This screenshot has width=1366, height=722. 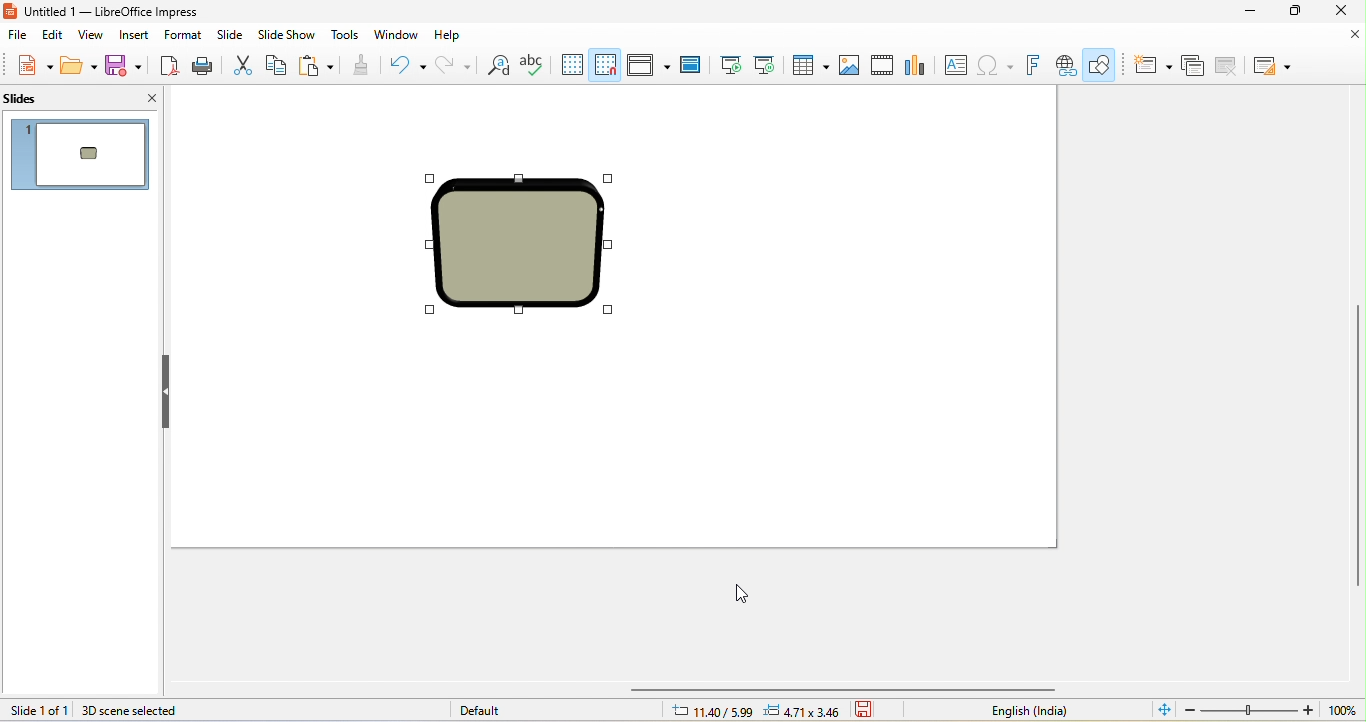 I want to click on new, so click(x=27, y=64).